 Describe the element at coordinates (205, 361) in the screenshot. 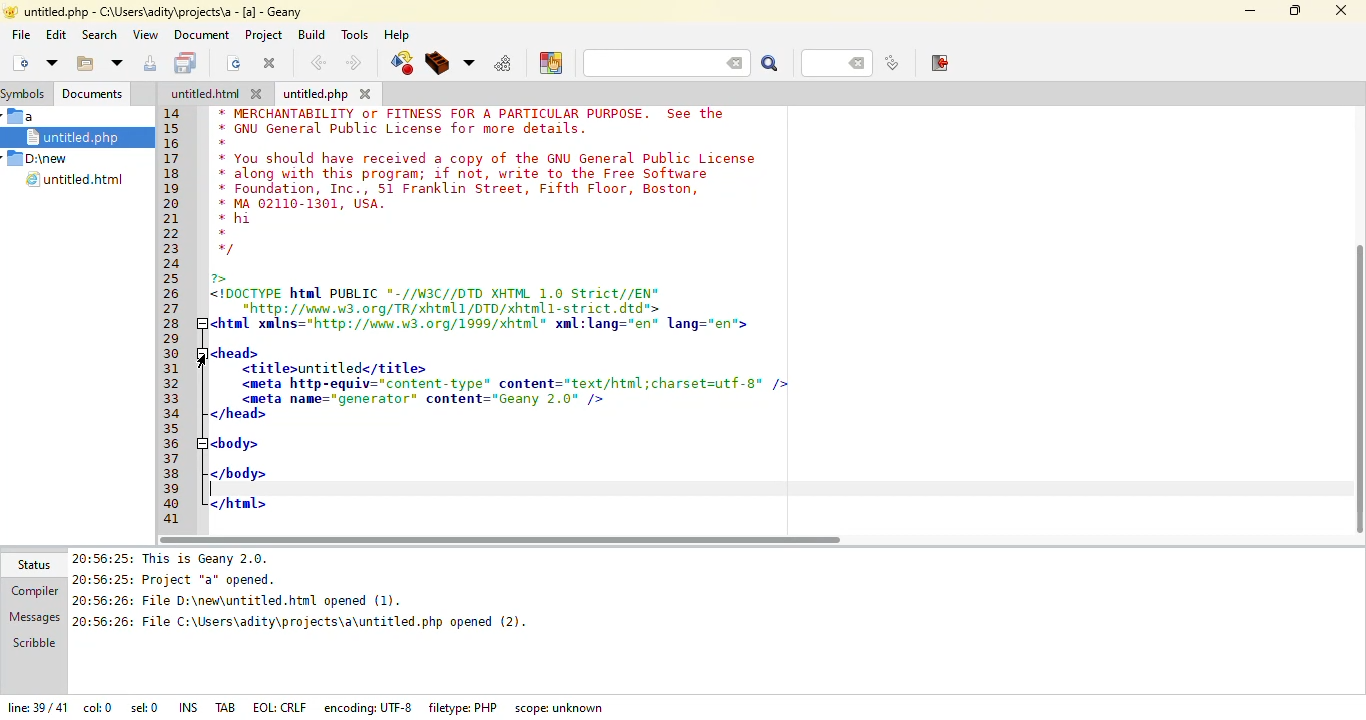

I see `cursor` at that location.